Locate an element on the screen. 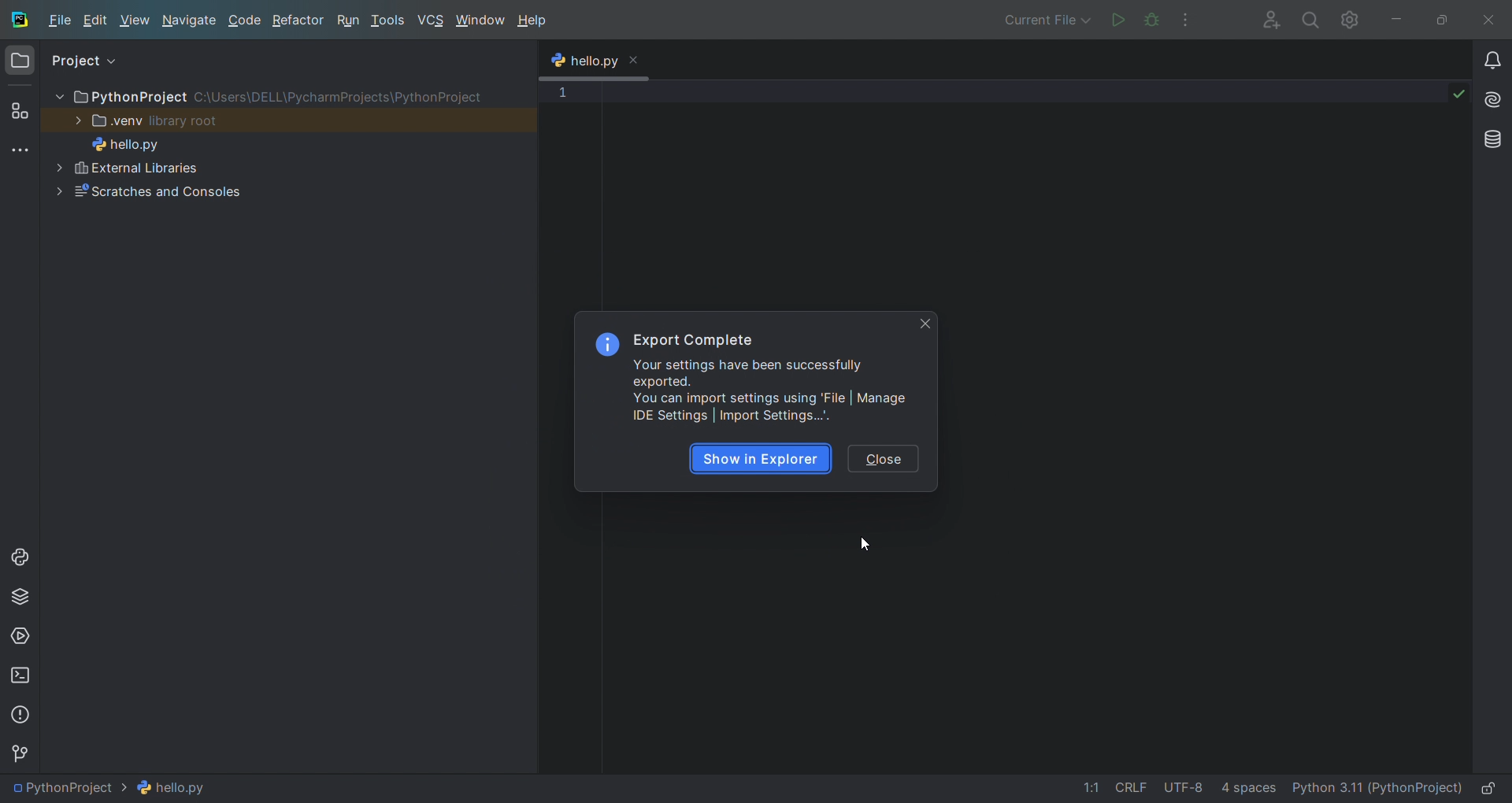 The height and width of the screenshot is (803, 1512). database is located at coordinates (1493, 139).